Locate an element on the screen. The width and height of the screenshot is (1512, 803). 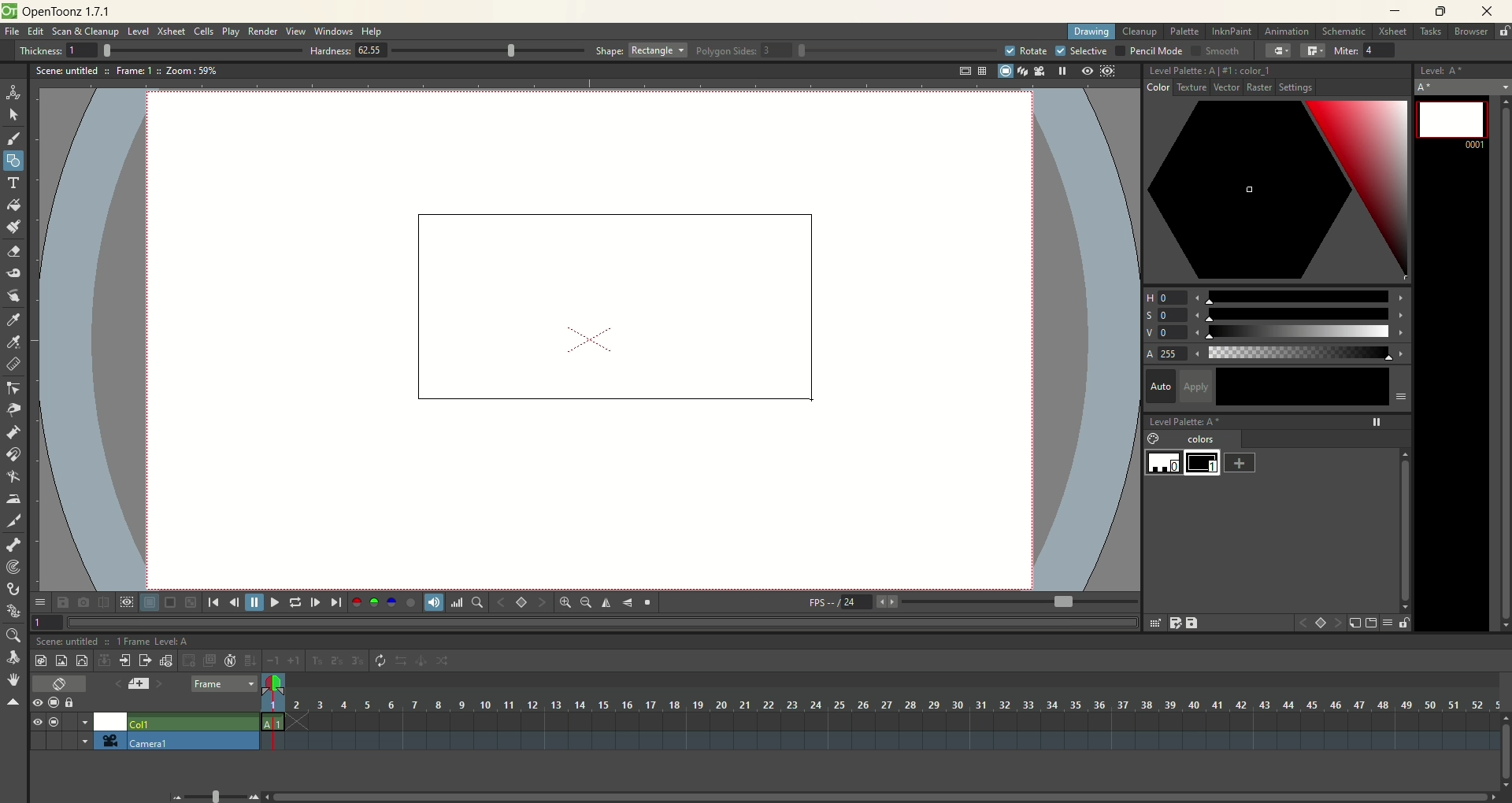
save as is located at coordinates (1174, 623).